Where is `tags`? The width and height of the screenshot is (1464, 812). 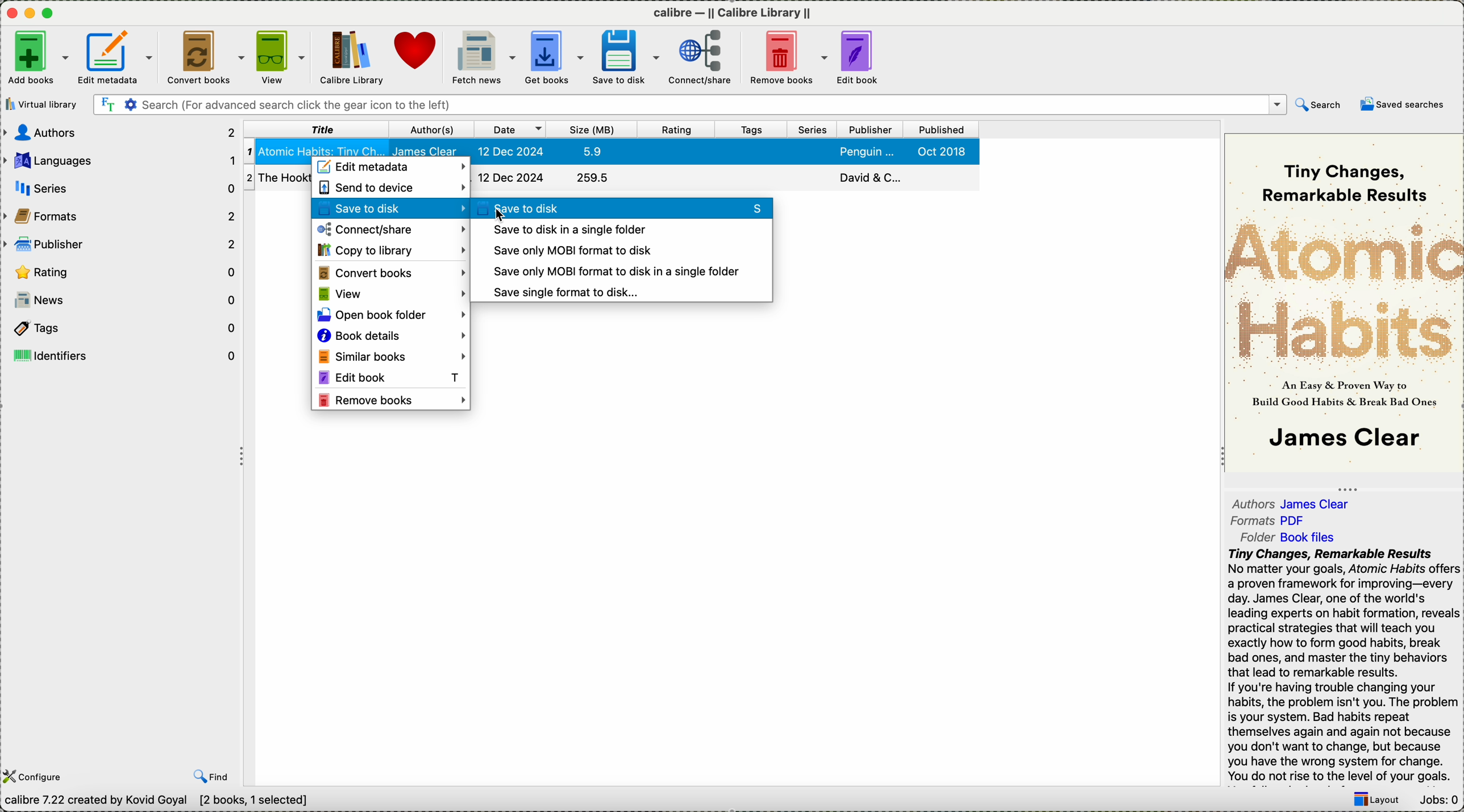 tags is located at coordinates (751, 129).